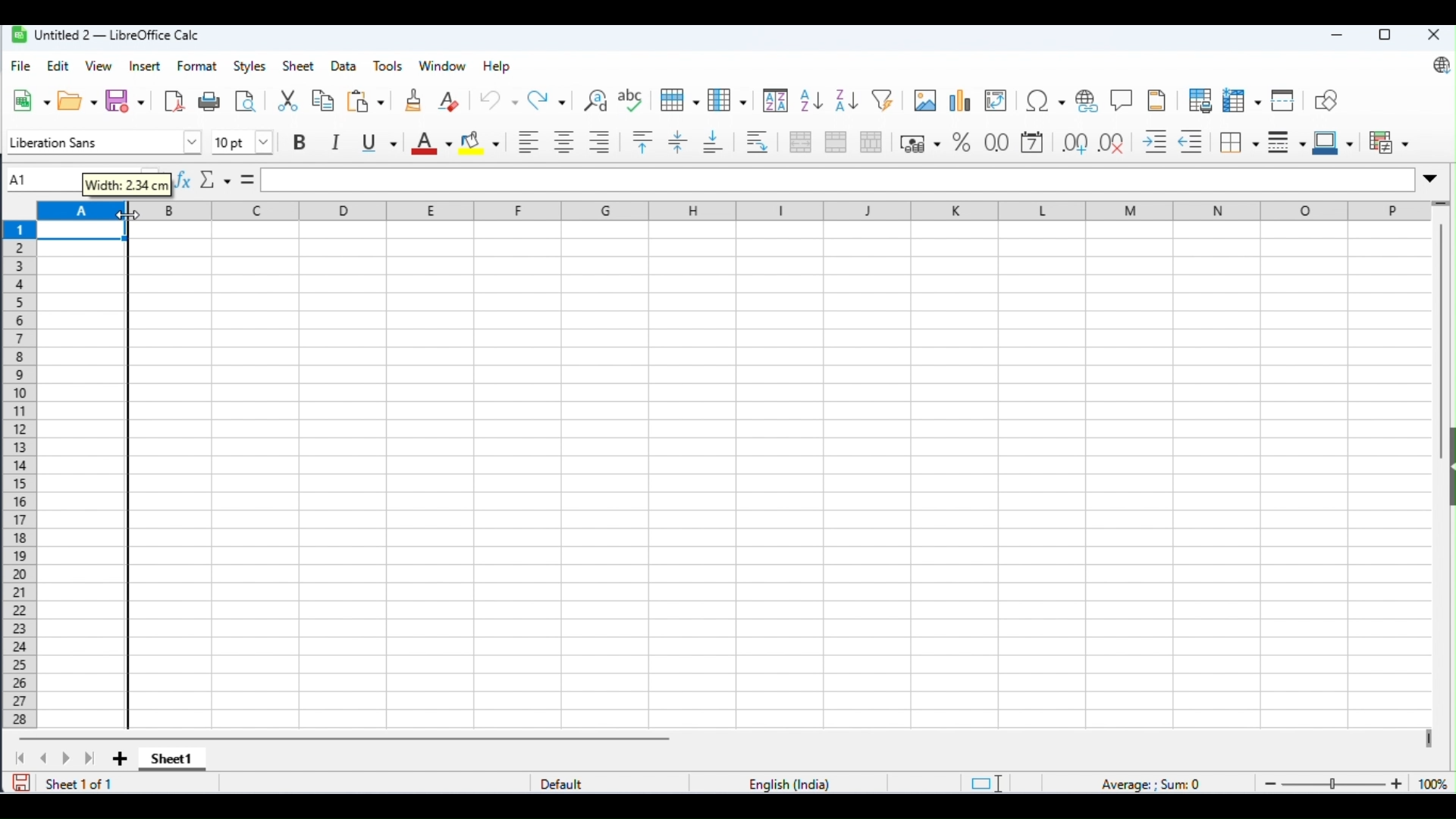  What do you see at coordinates (368, 99) in the screenshot?
I see `paste` at bounding box center [368, 99].